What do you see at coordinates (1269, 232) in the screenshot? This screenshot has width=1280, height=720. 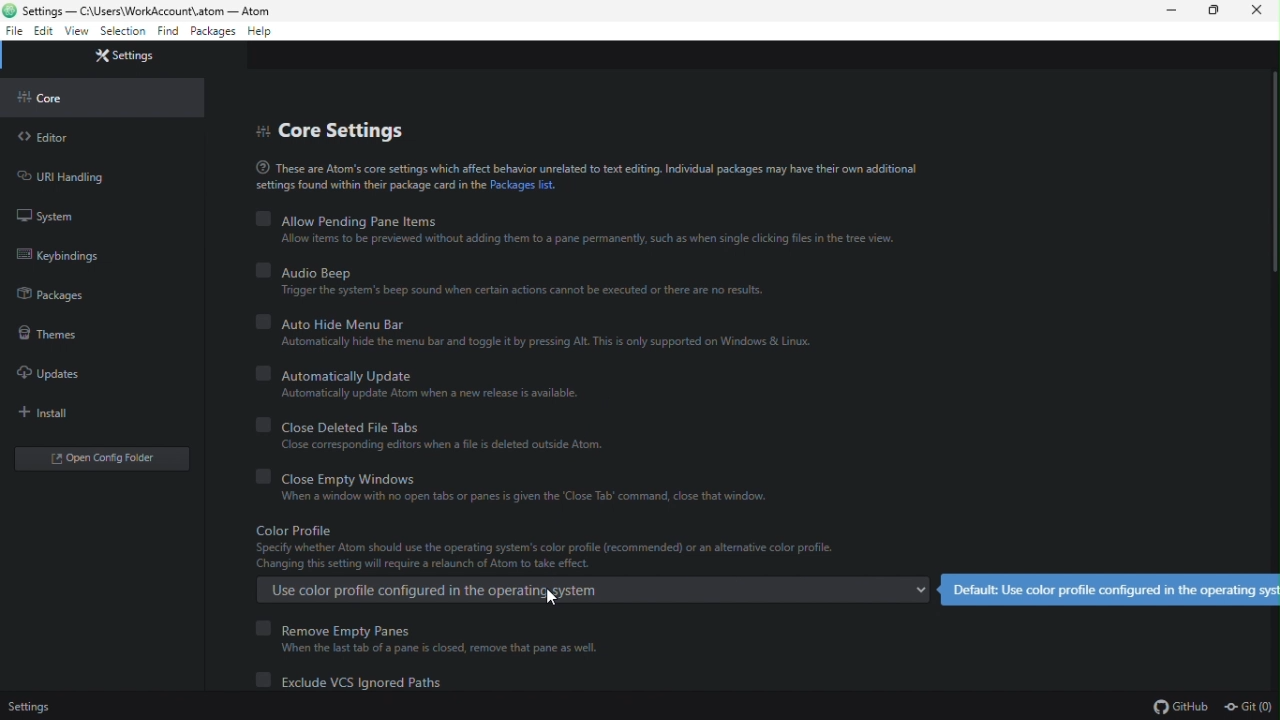 I see `slider` at bounding box center [1269, 232].